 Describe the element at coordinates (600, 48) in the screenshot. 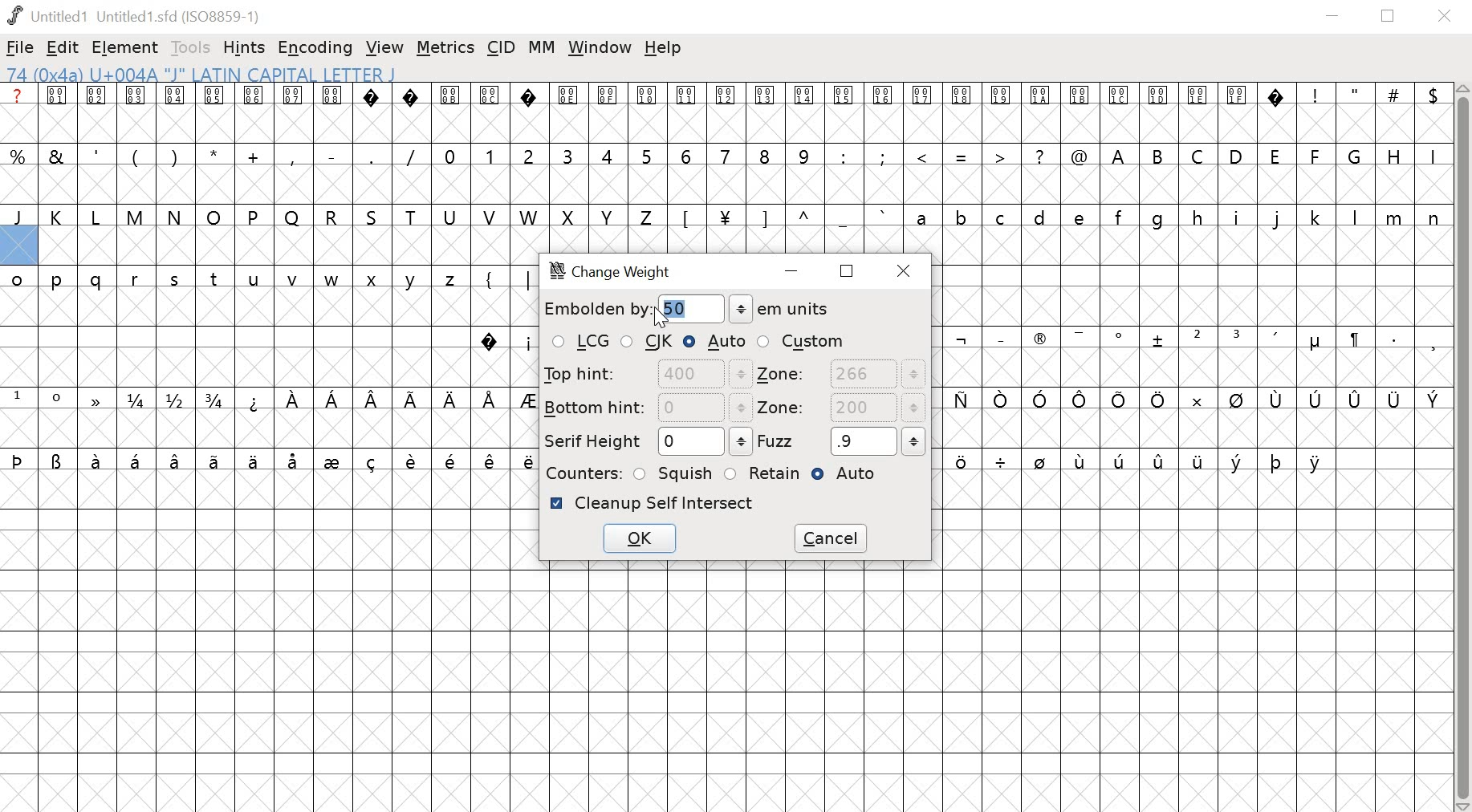

I see `window` at that location.